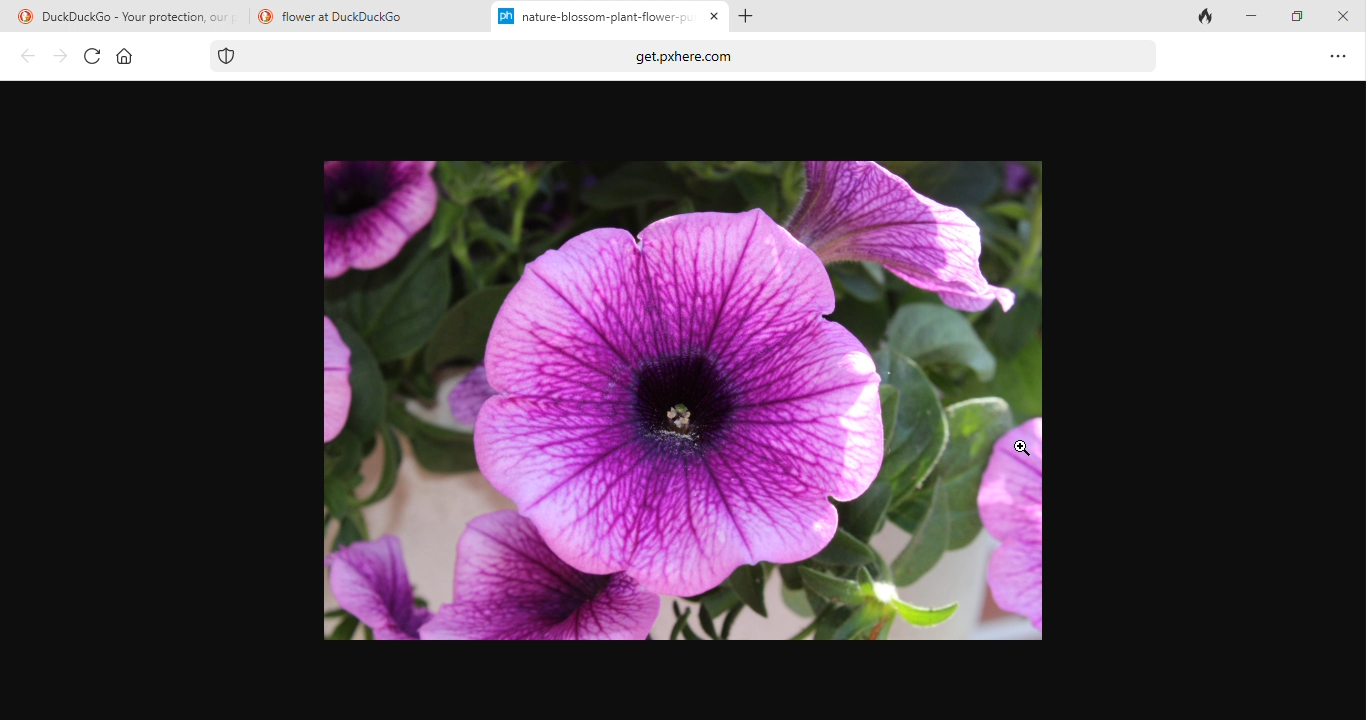 Image resolution: width=1366 pixels, height=720 pixels. Describe the element at coordinates (1338, 15) in the screenshot. I see `close` at that location.